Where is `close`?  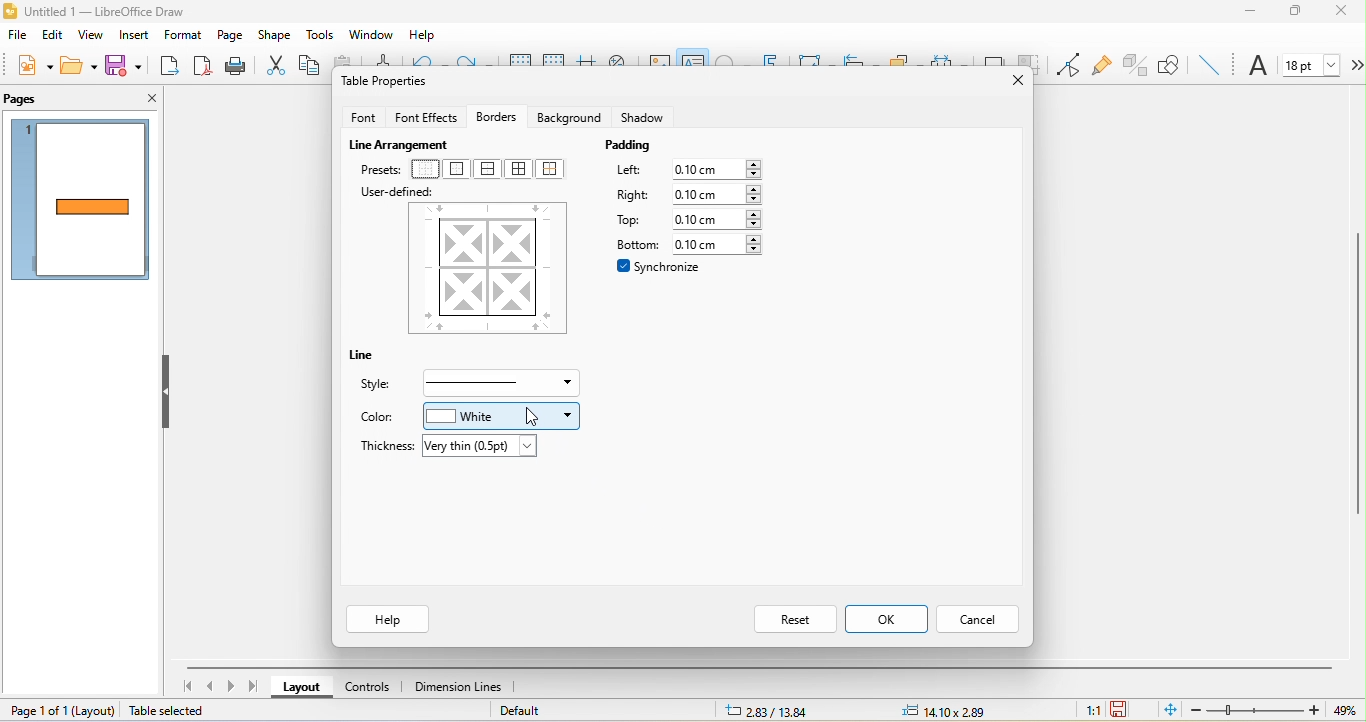
close is located at coordinates (1347, 12).